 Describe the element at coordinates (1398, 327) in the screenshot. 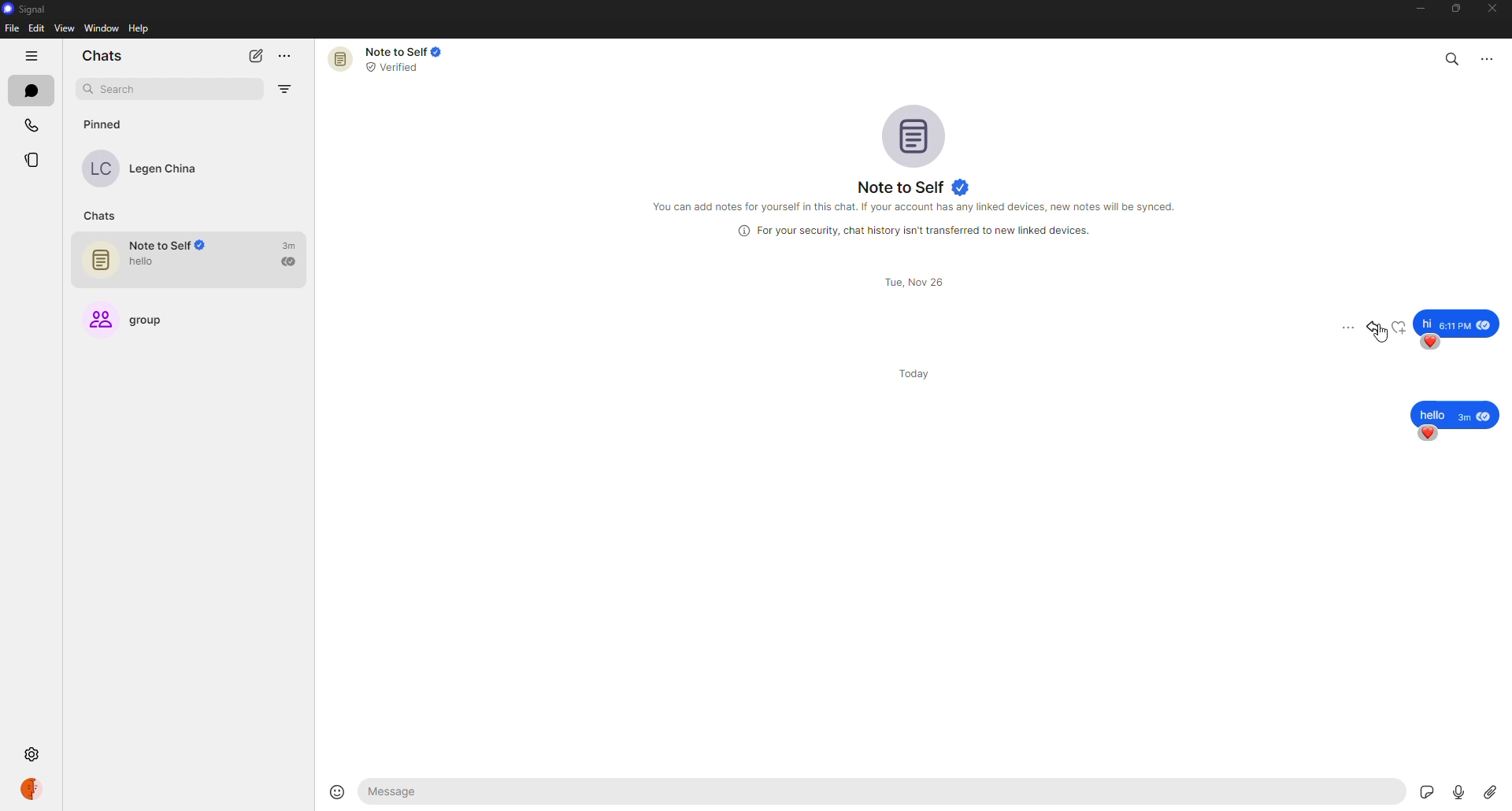

I see `reaction` at that location.